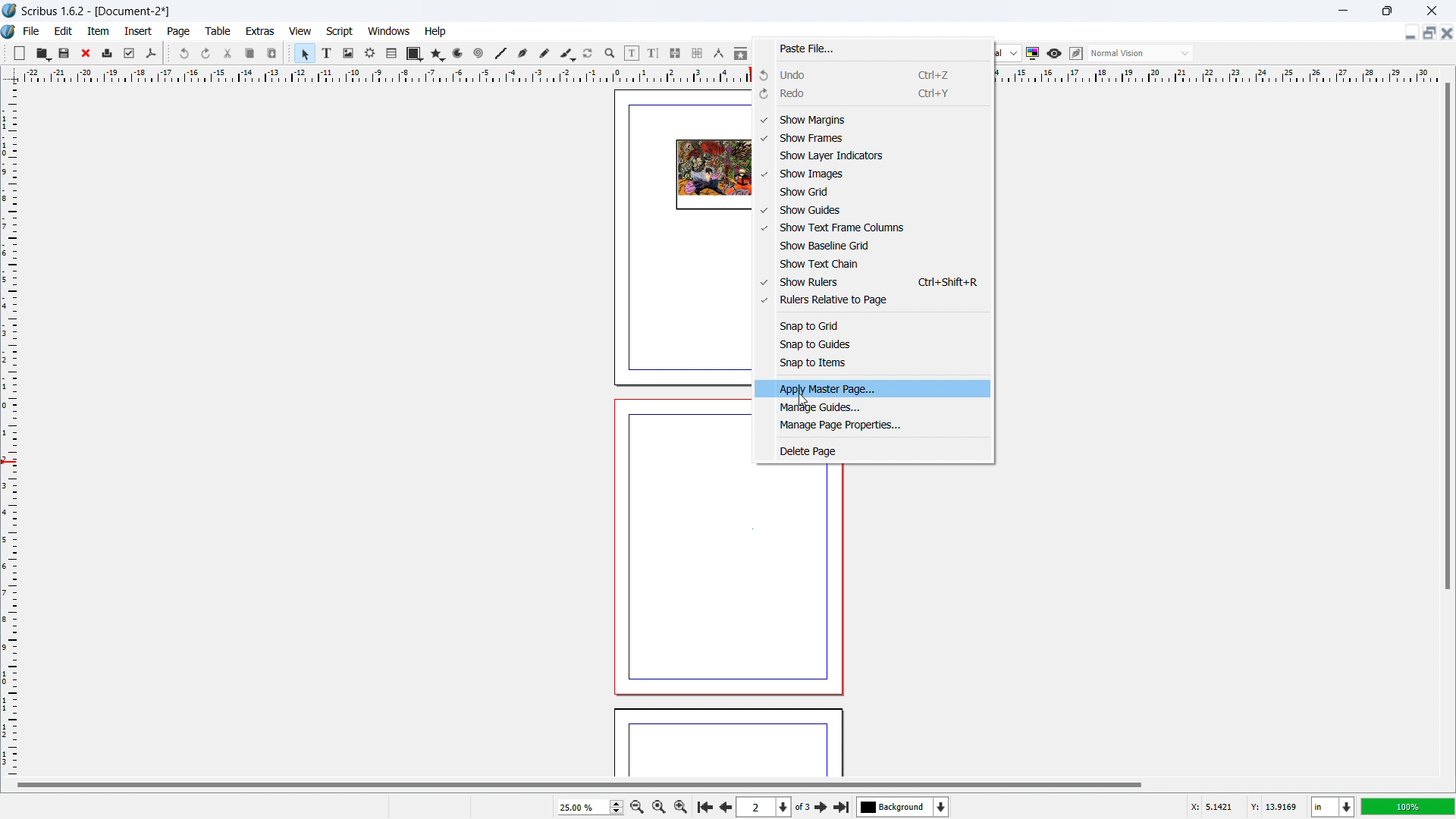  What do you see at coordinates (1385, 11) in the screenshot?
I see `maximize window` at bounding box center [1385, 11].